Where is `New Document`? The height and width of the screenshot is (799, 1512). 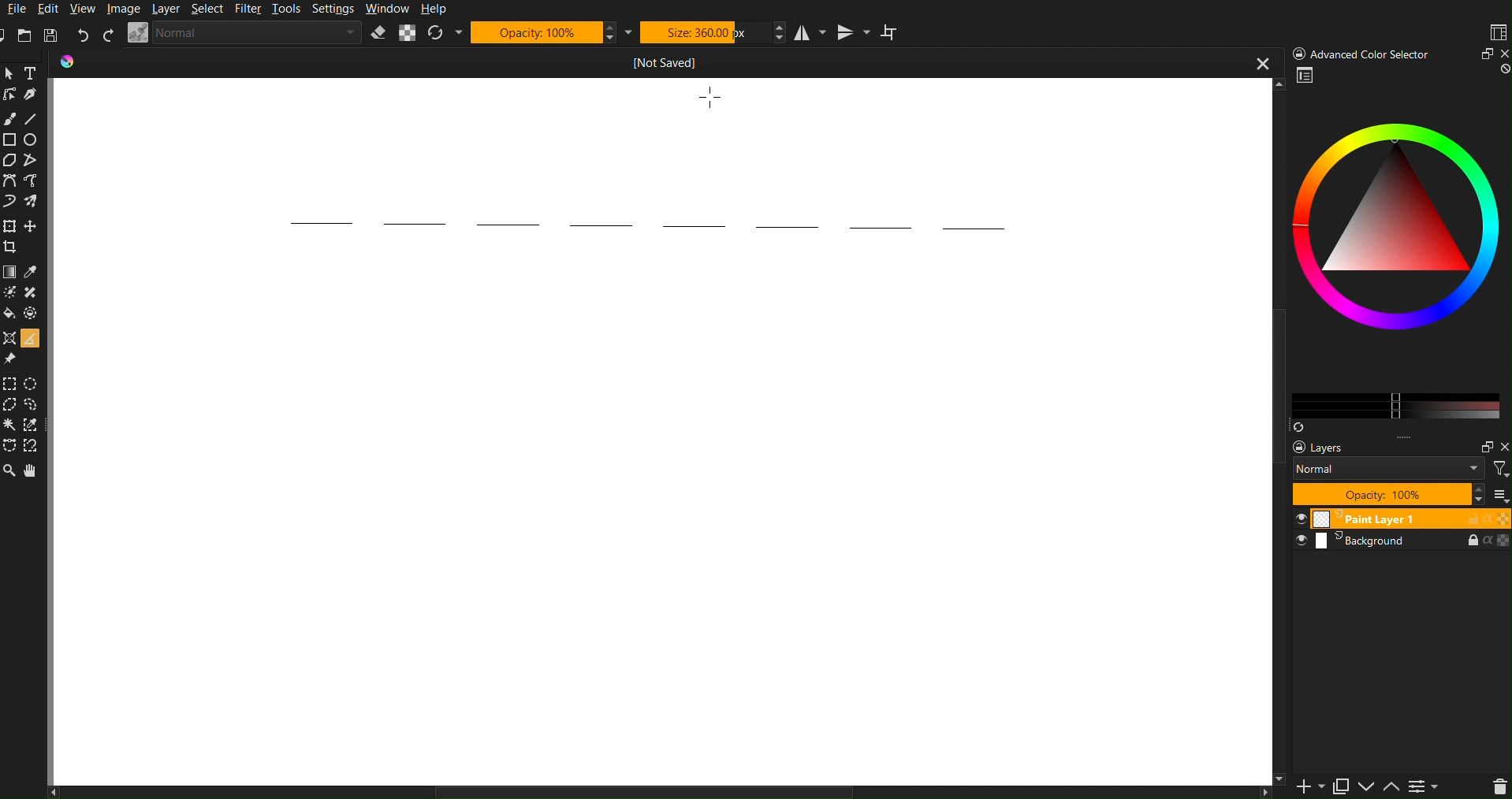 New Document is located at coordinates (9, 35).